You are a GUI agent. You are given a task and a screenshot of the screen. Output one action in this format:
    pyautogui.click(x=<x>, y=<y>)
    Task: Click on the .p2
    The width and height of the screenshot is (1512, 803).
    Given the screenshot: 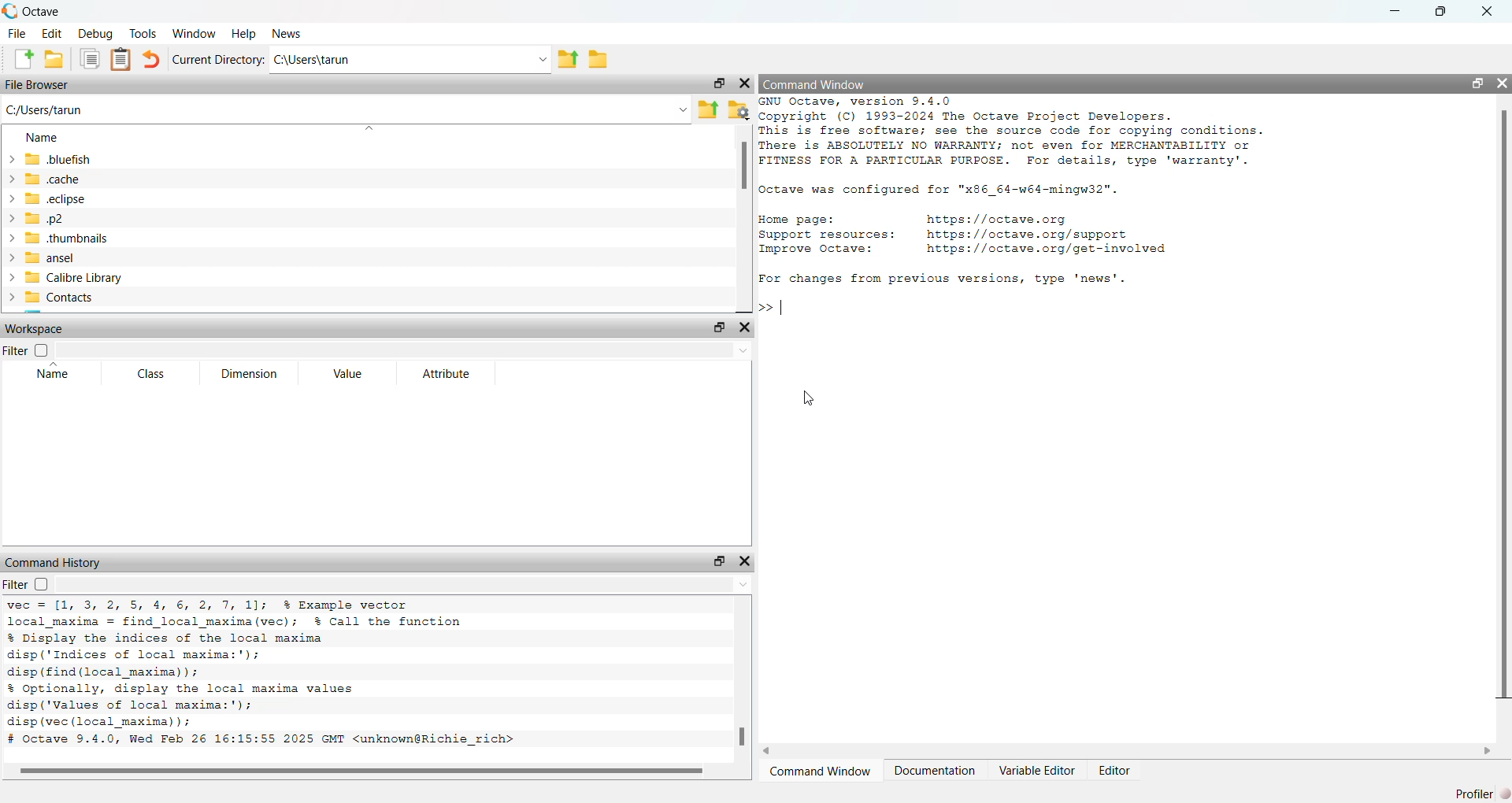 What is the action you would take?
    pyautogui.click(x=45, y=218)
    